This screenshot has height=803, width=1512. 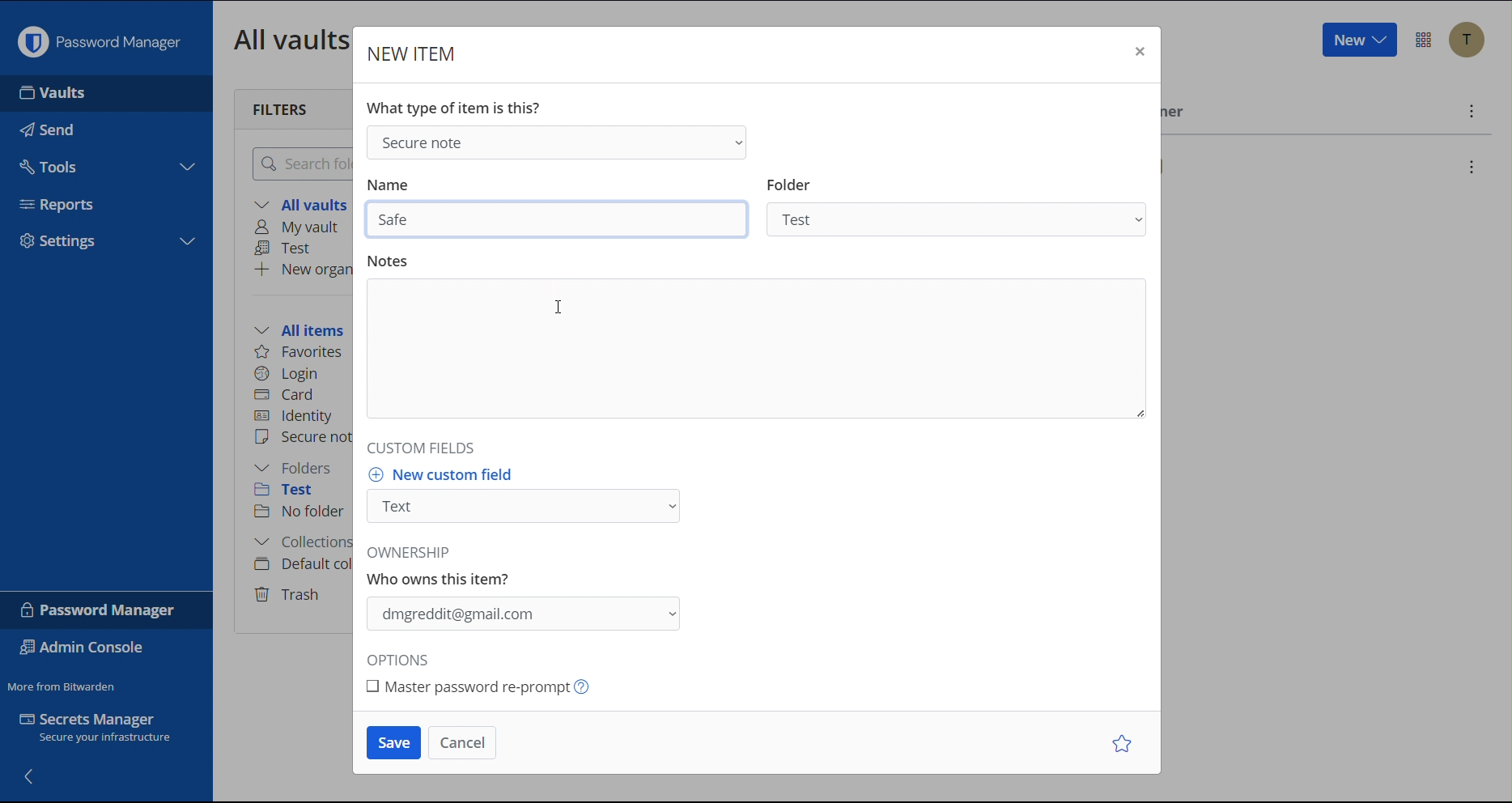 What do you see at coordinates (99, 38) in the screenshot?
I see `Password Manager` at bounding box center [99, 38].